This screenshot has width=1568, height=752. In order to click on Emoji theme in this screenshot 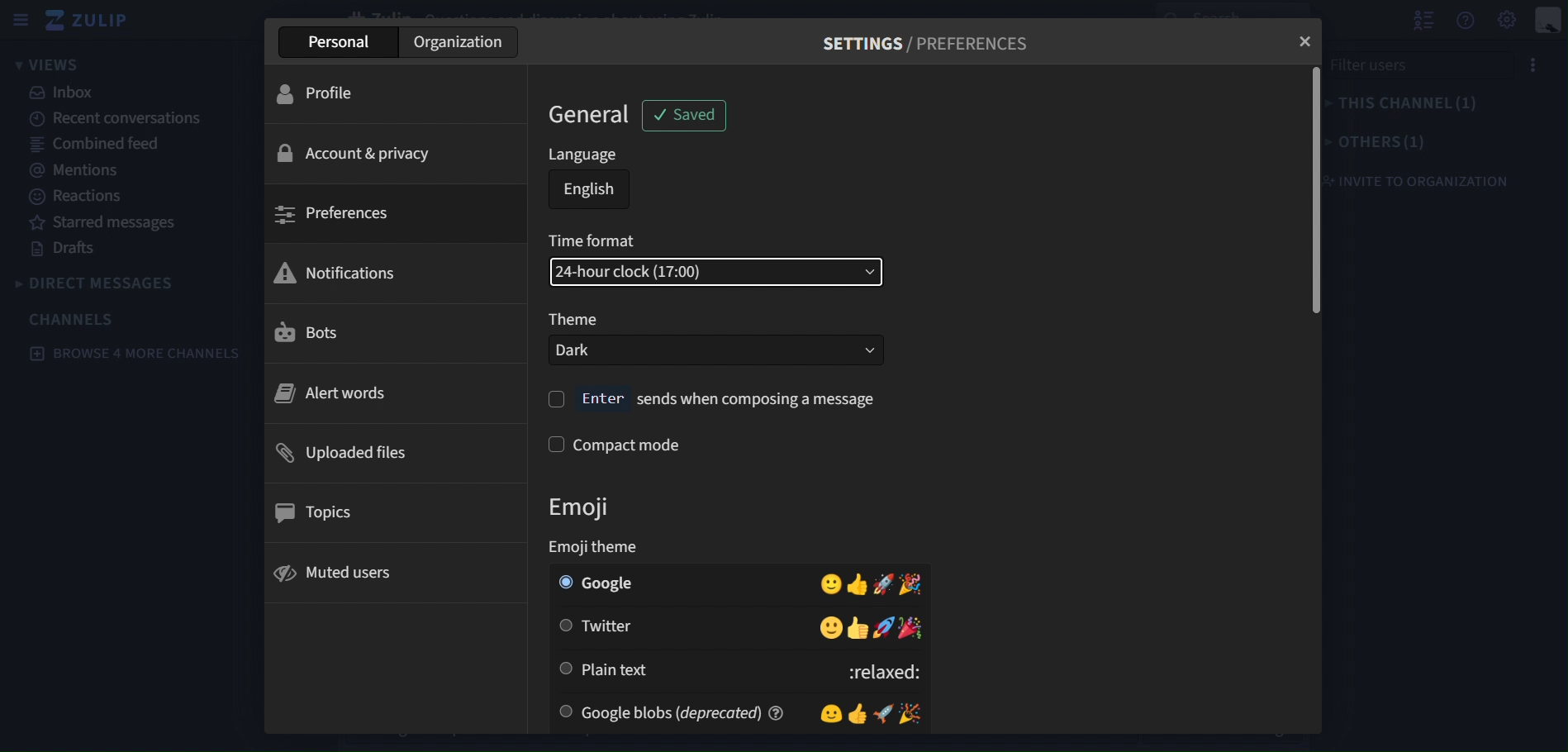, I will do `click(612, 548)`.